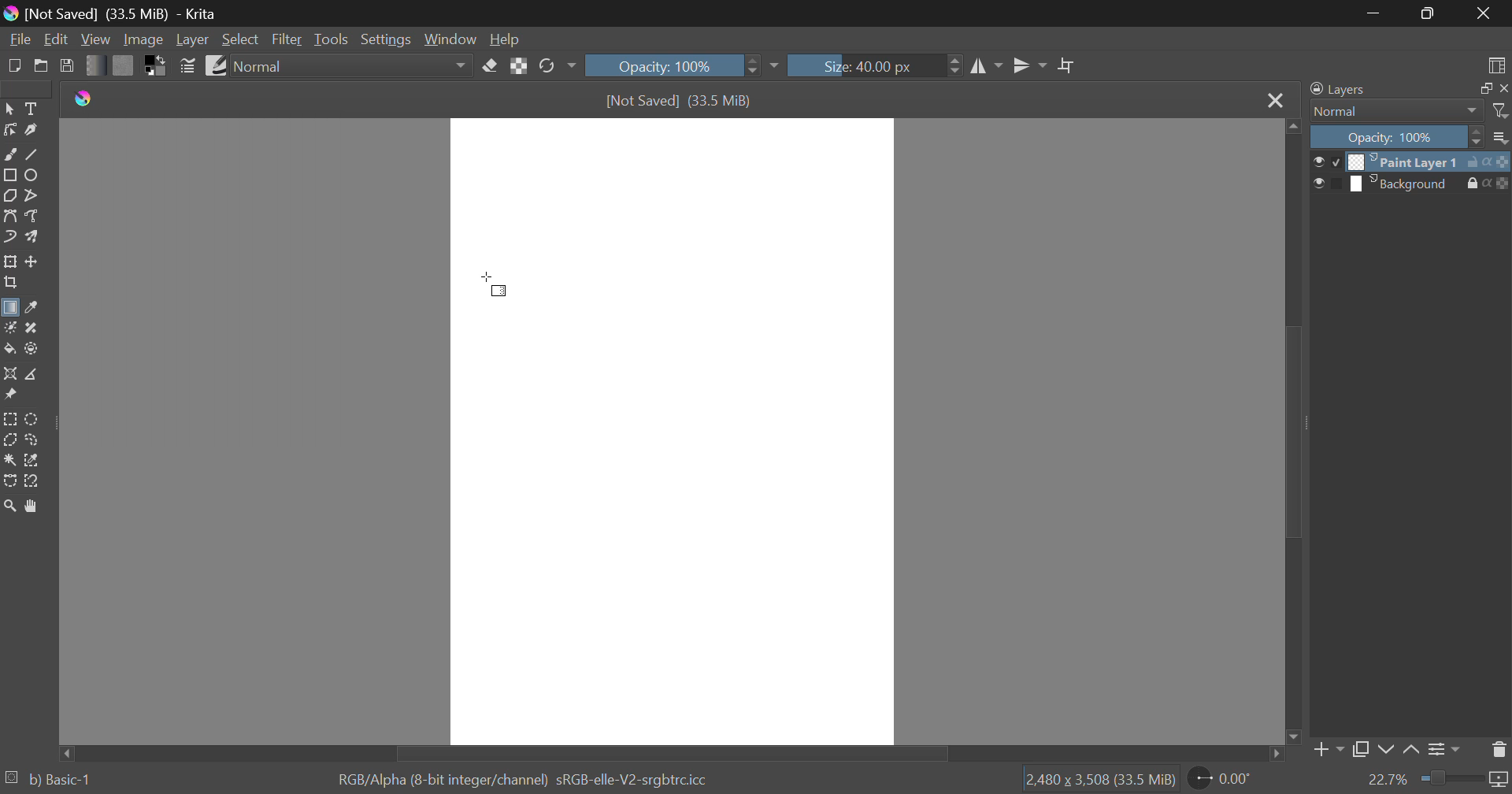 This screenshot has width=1512, height=794. I want to click on Freehand Path Tool, so click(35, 217).